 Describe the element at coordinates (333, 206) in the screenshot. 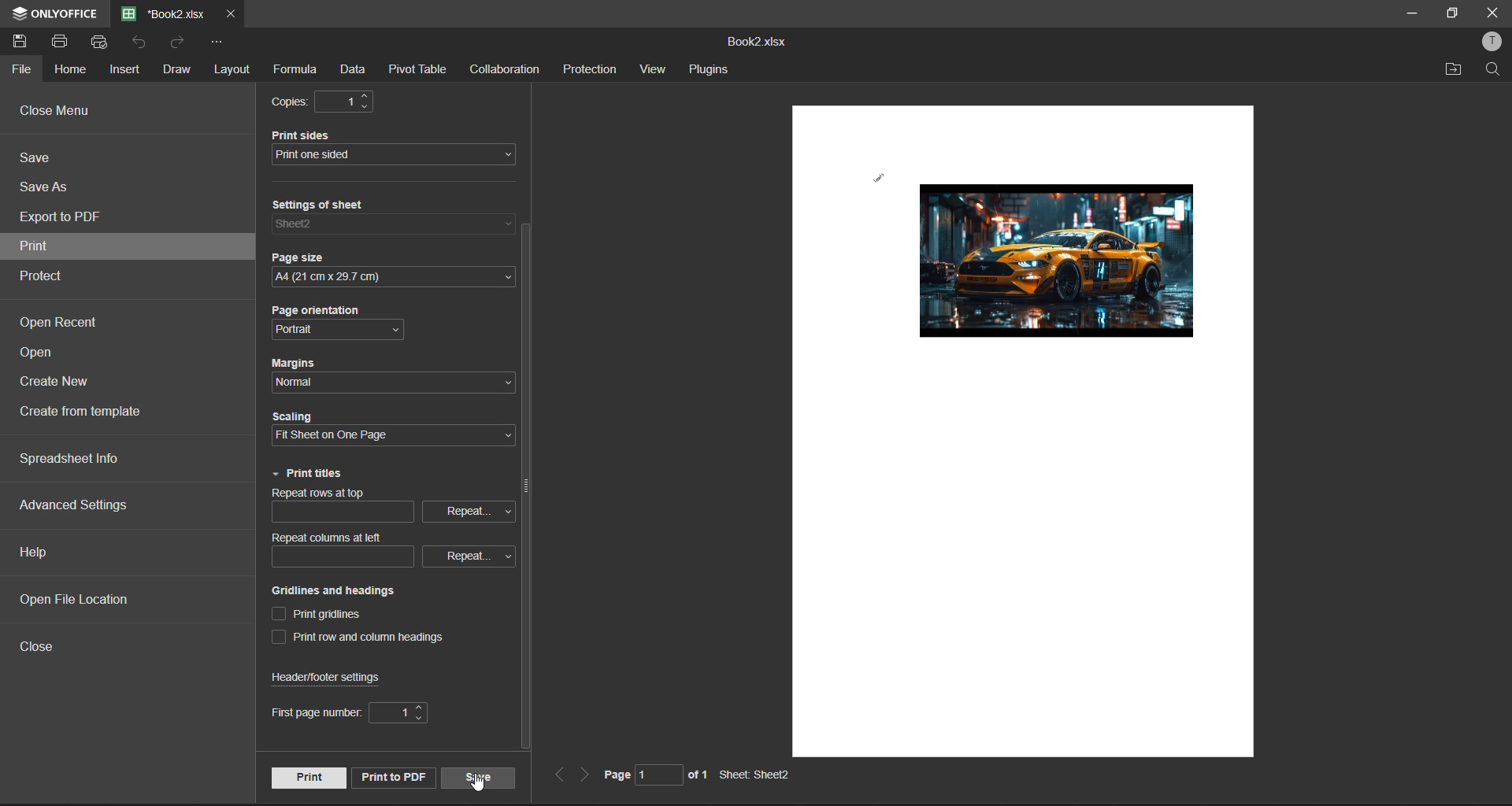

I see `settings of sheet` at that location.